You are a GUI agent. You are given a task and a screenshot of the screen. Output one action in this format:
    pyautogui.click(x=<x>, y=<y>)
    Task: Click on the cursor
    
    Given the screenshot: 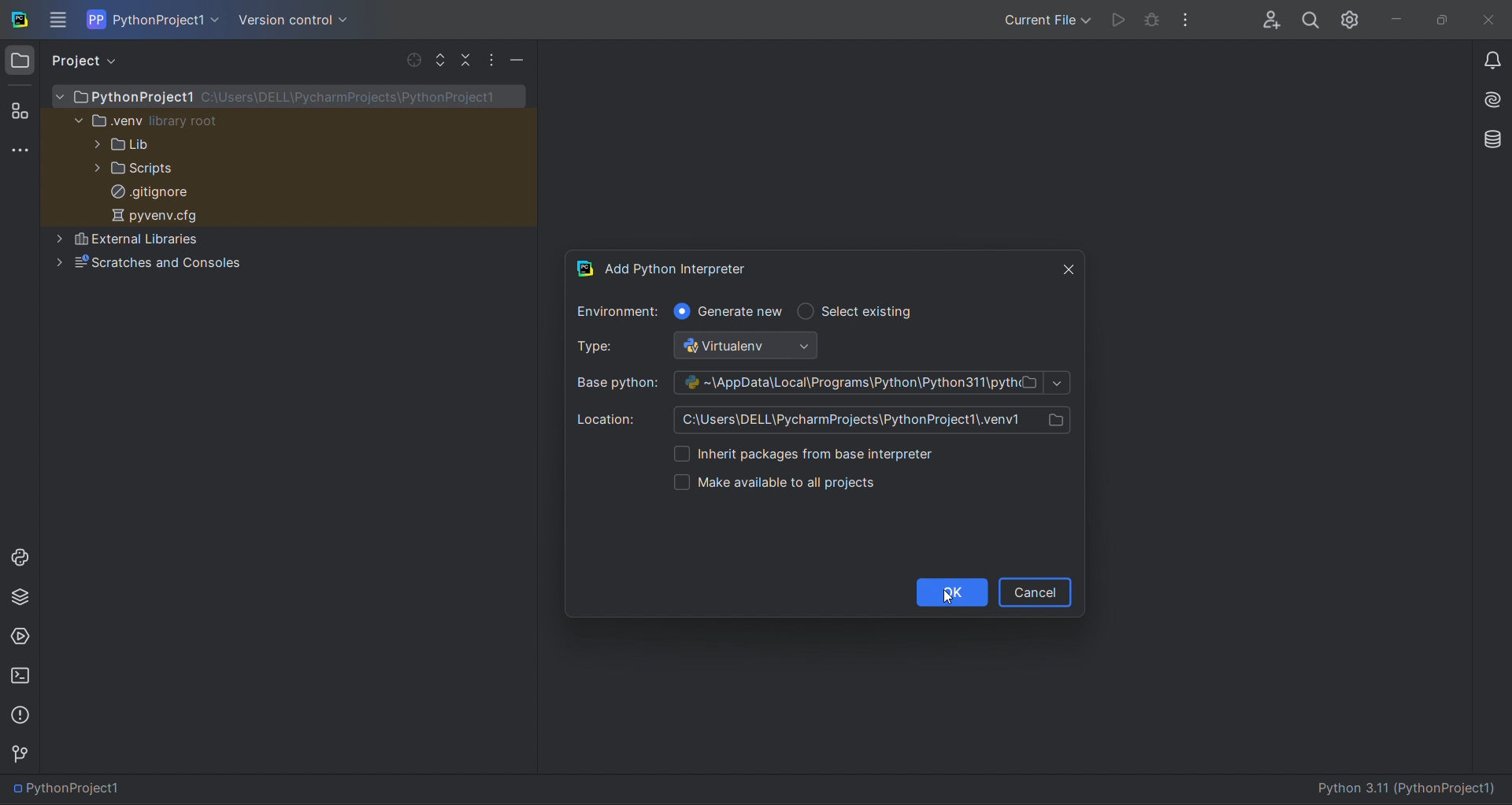 What is the action you would take?
    pyautogui.click(x=950, y=596)
    